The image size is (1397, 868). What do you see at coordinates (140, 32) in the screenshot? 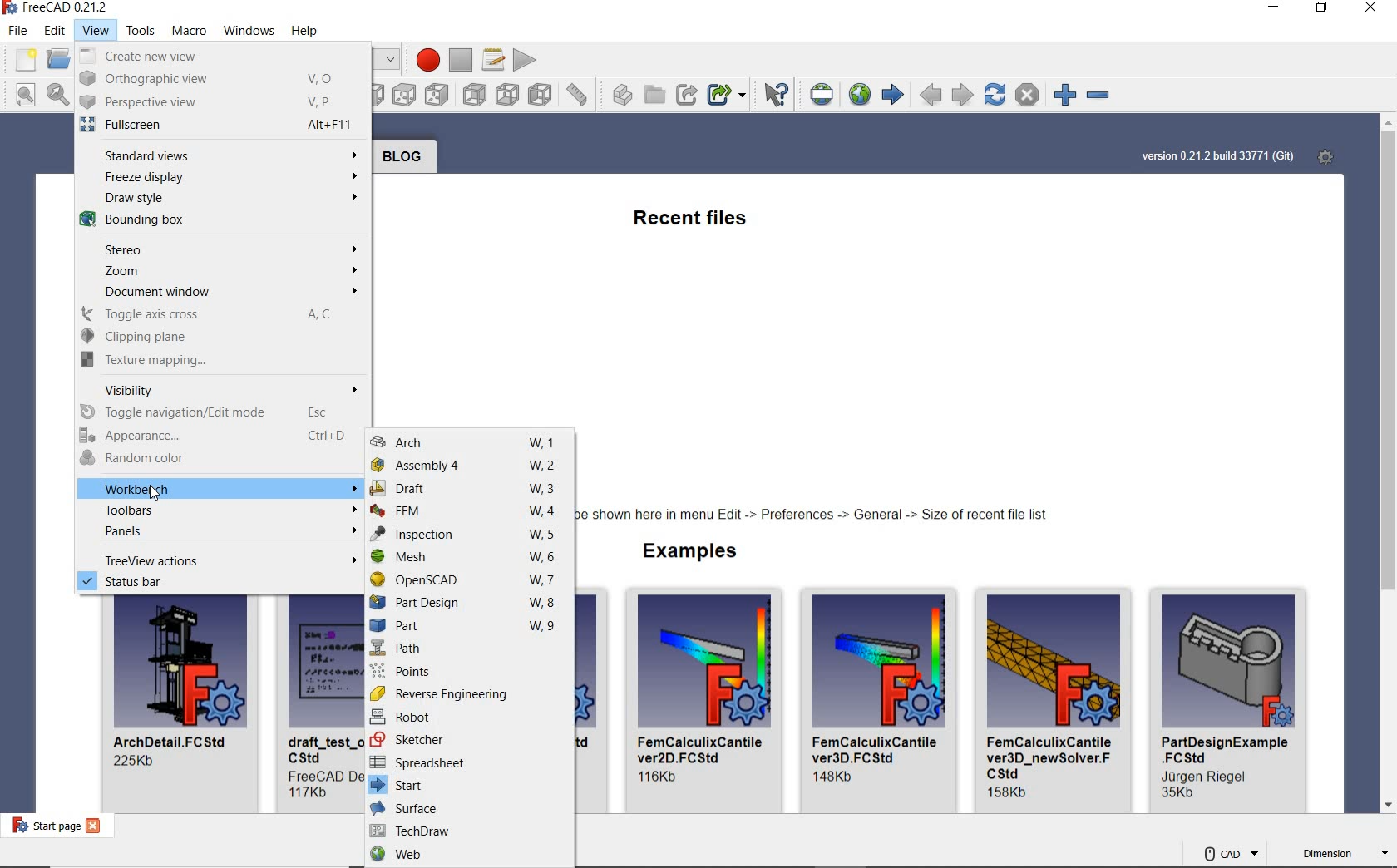
I see `tools` at bounding box center [140, 32].